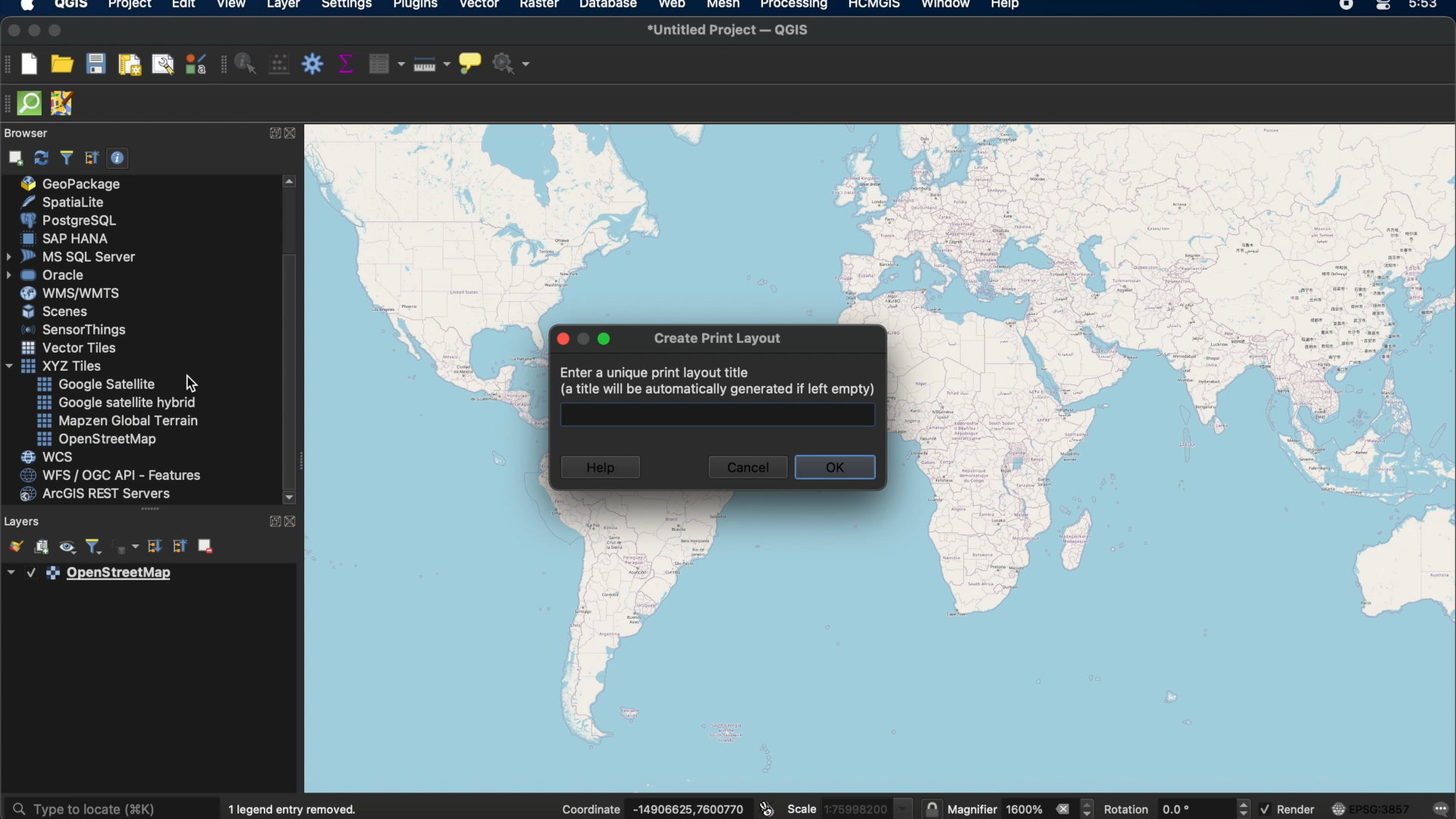  Describe the element at coordinates (717, 381) in the screenshot. I see `enter a unique print layout file` at that location.